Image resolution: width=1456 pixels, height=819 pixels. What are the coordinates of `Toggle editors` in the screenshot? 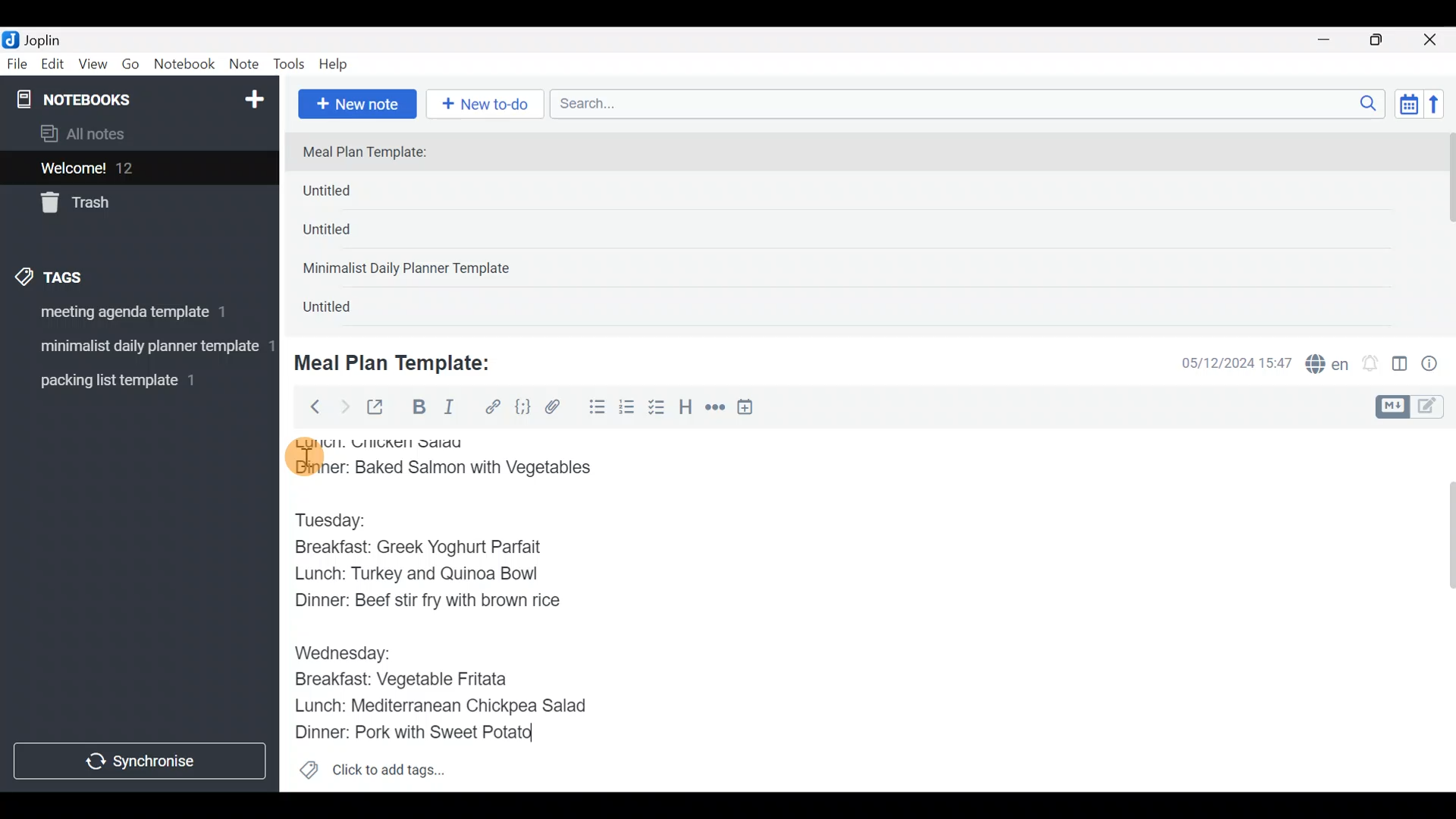 It's located at (1414, 405).